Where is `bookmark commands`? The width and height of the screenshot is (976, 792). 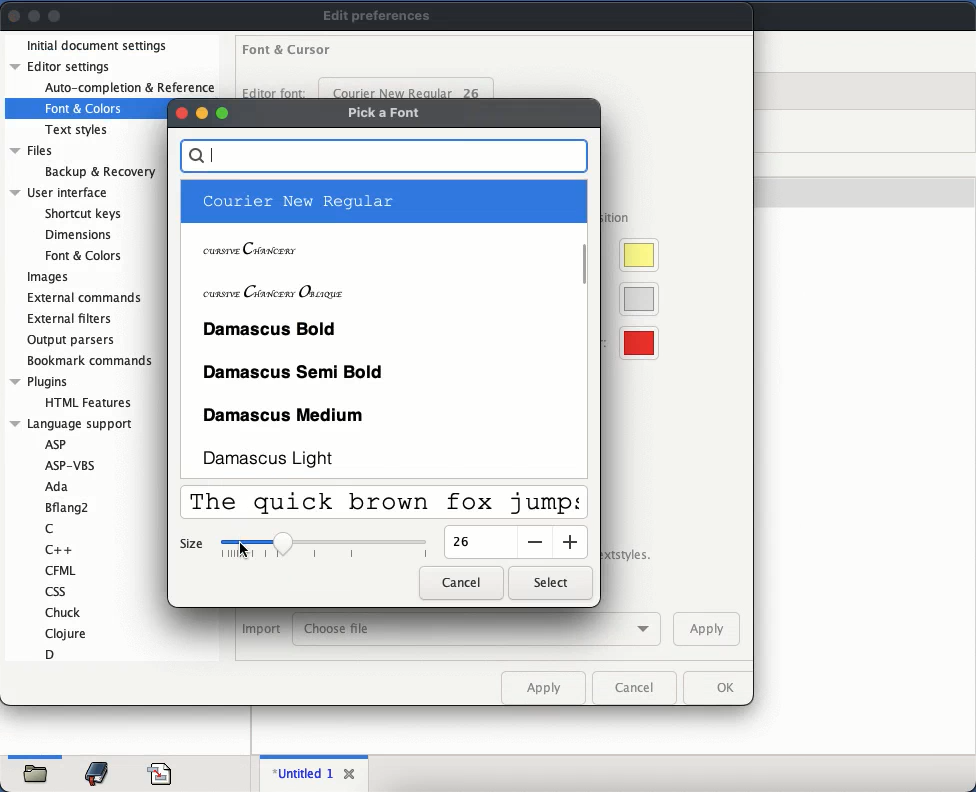
bookmark commands is located at coordinates (92, 362).